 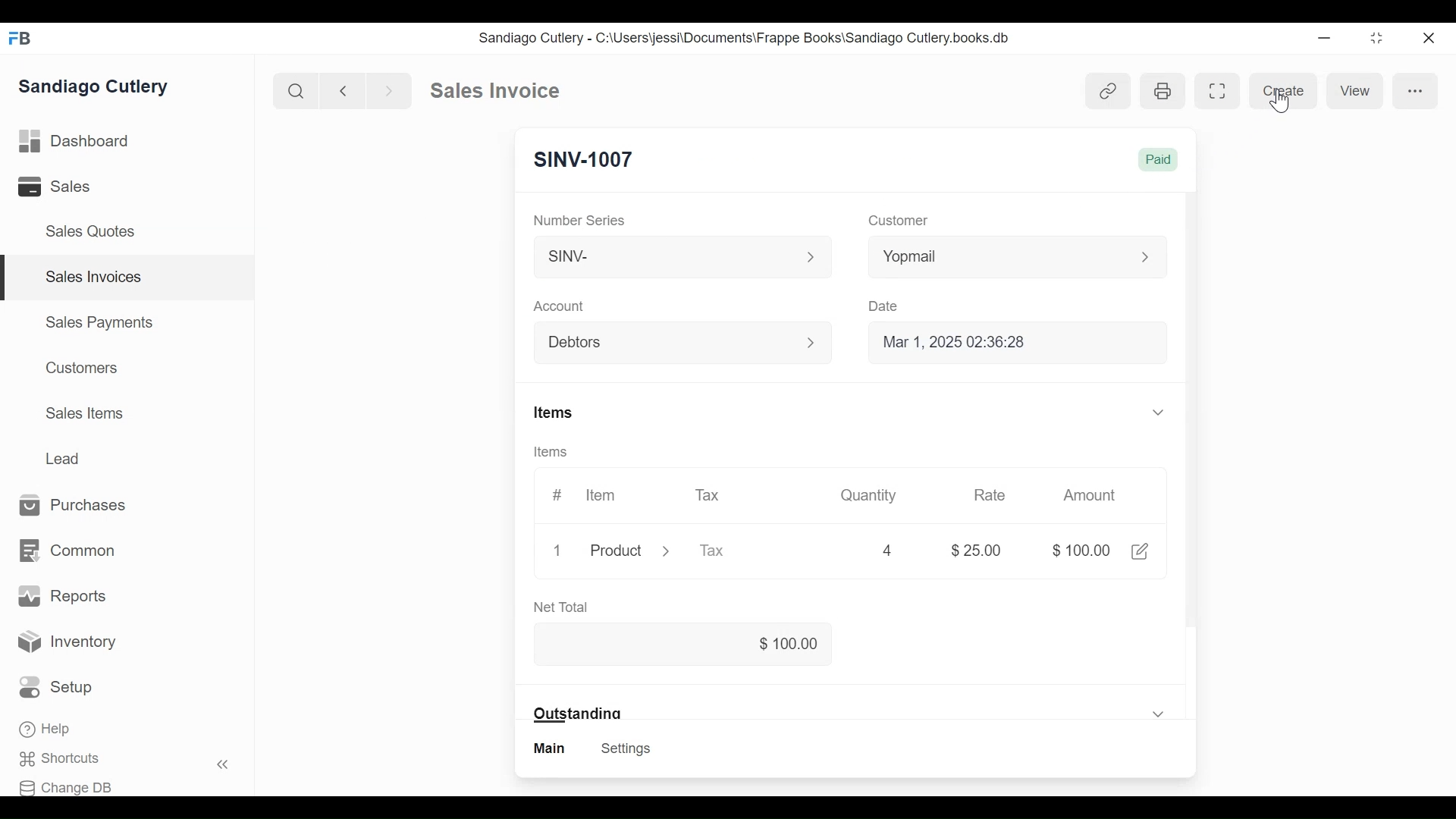 I want to click on Account, so click(x=559, y=306).